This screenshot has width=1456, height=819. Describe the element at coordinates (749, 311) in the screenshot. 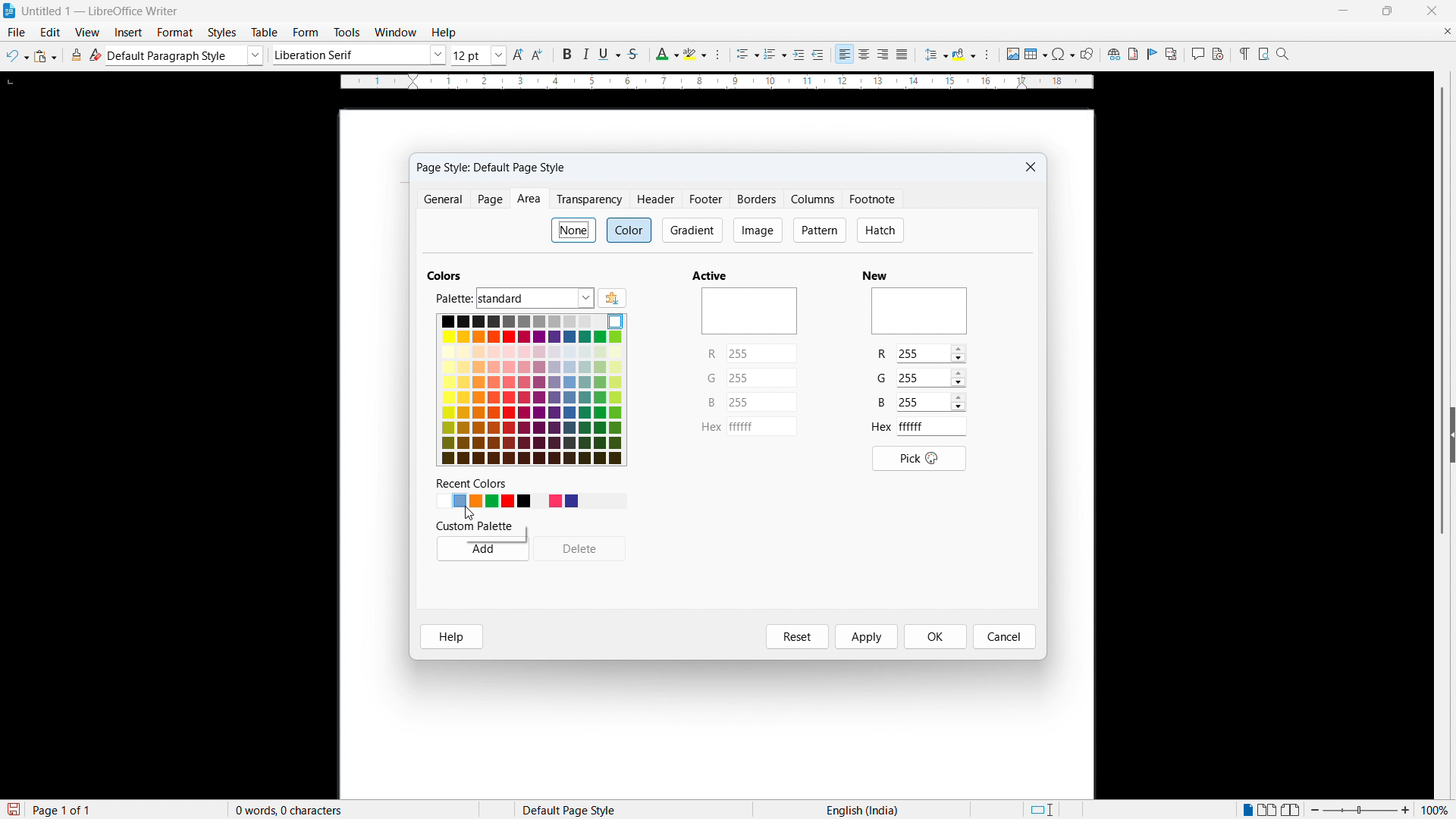

I see `active colour` at that location.